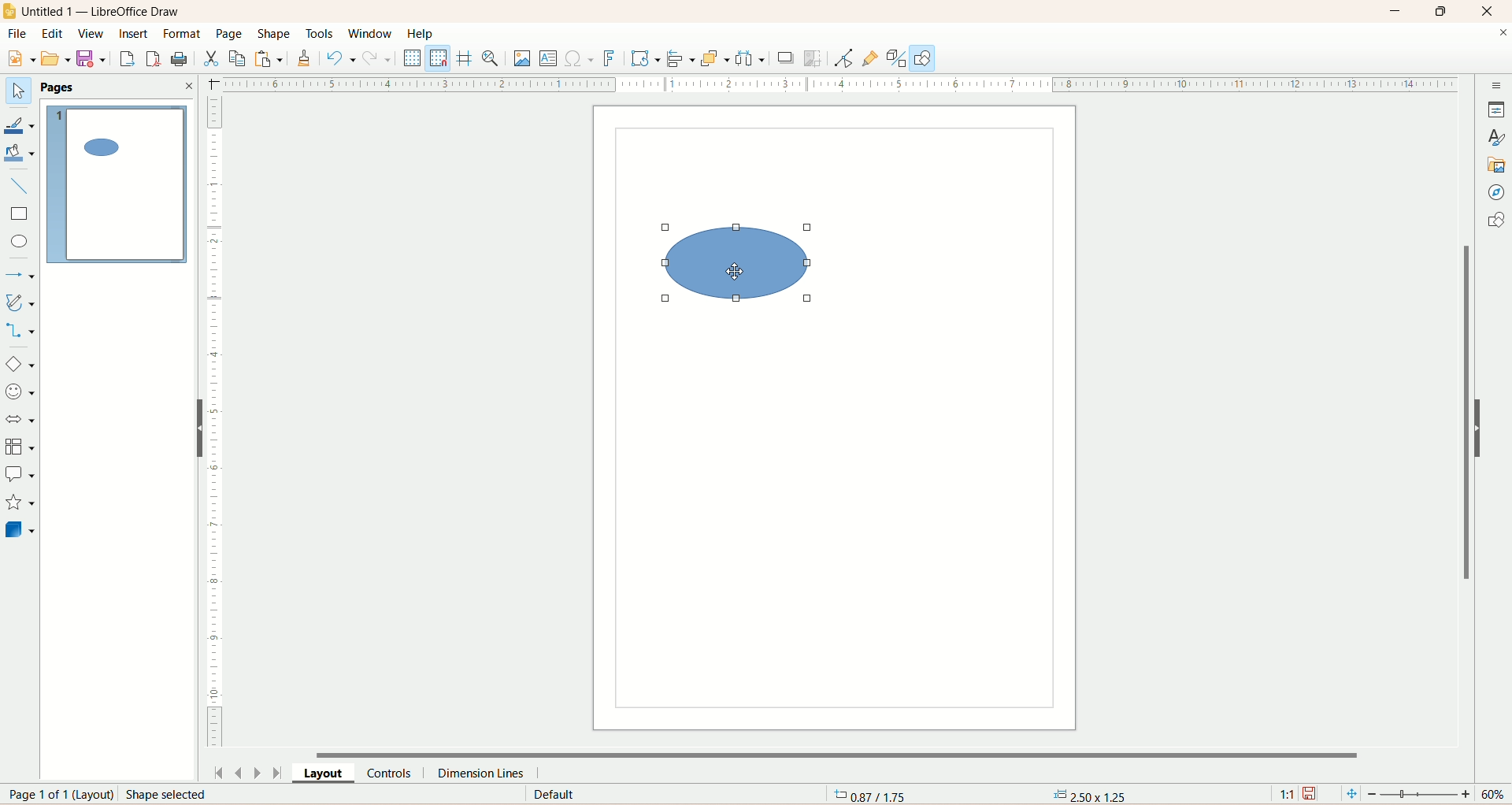 Image resolution: width=1512 pixels, height=805 pixels. Describe the element at coordinates (103, 10) in the screenshot. I see `title` at that location.